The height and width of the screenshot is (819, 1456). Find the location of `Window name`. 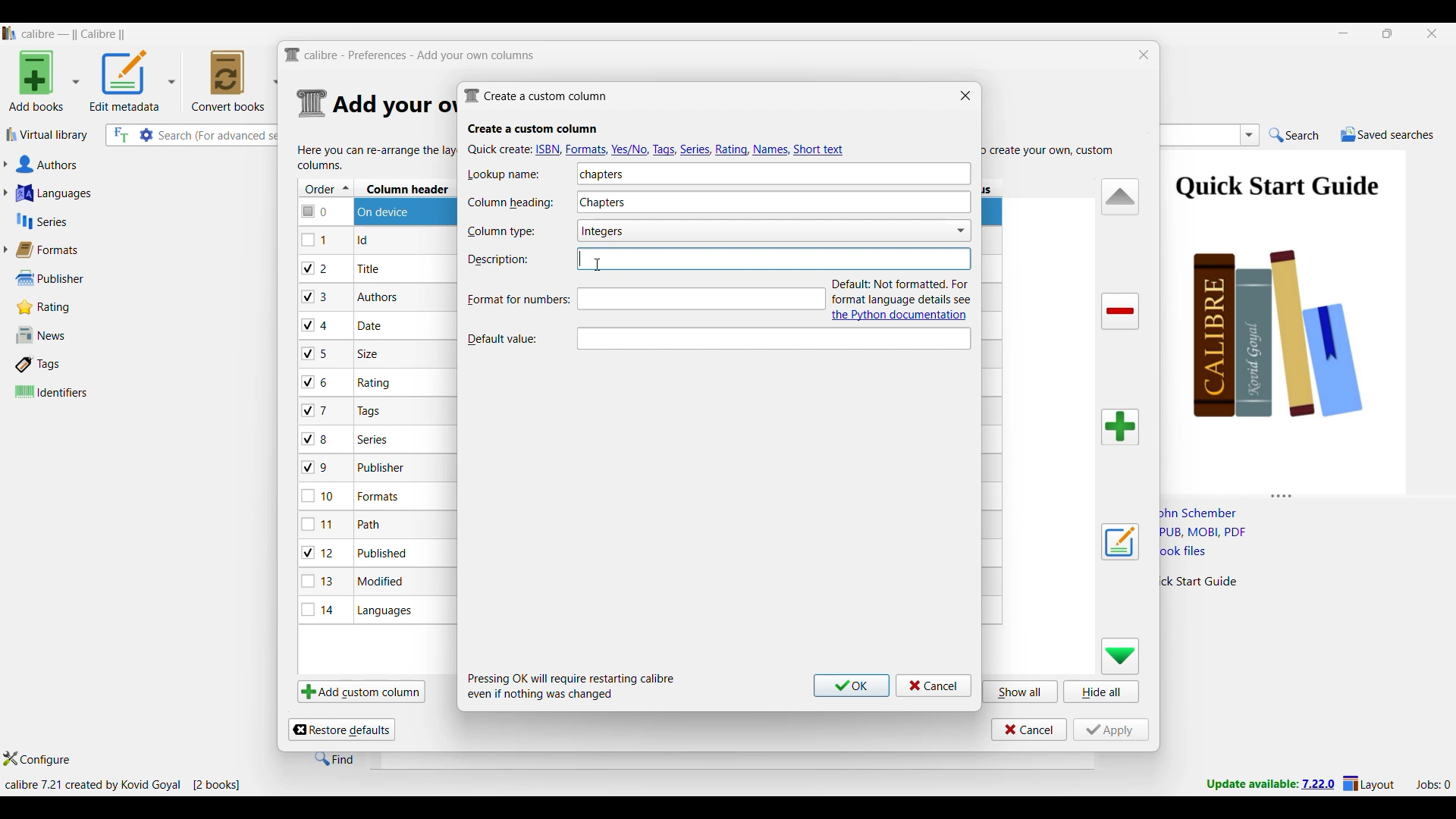

Window name is located at coordinates (535, 96).